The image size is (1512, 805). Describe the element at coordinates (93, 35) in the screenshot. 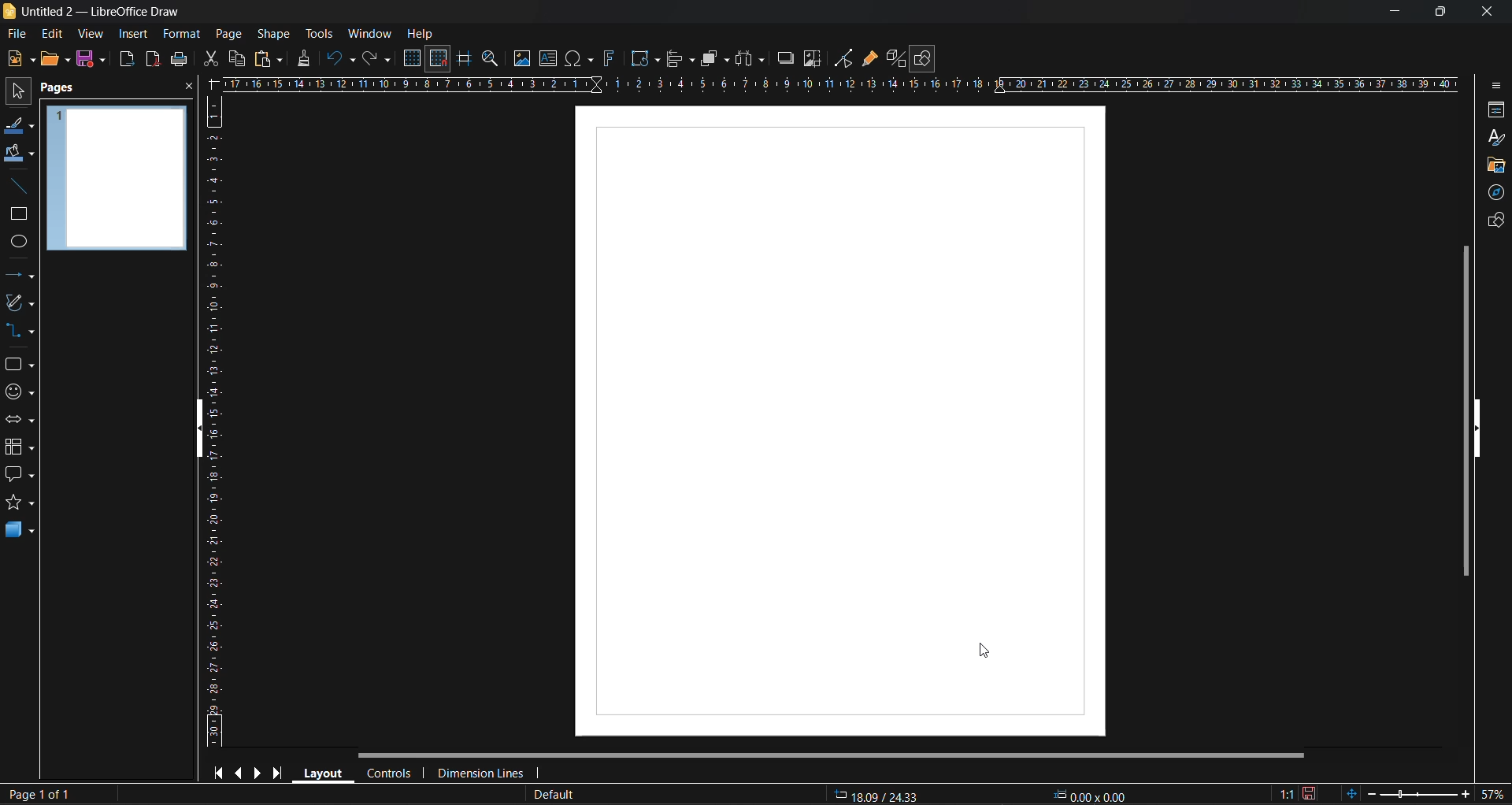

I see `view` at that location.